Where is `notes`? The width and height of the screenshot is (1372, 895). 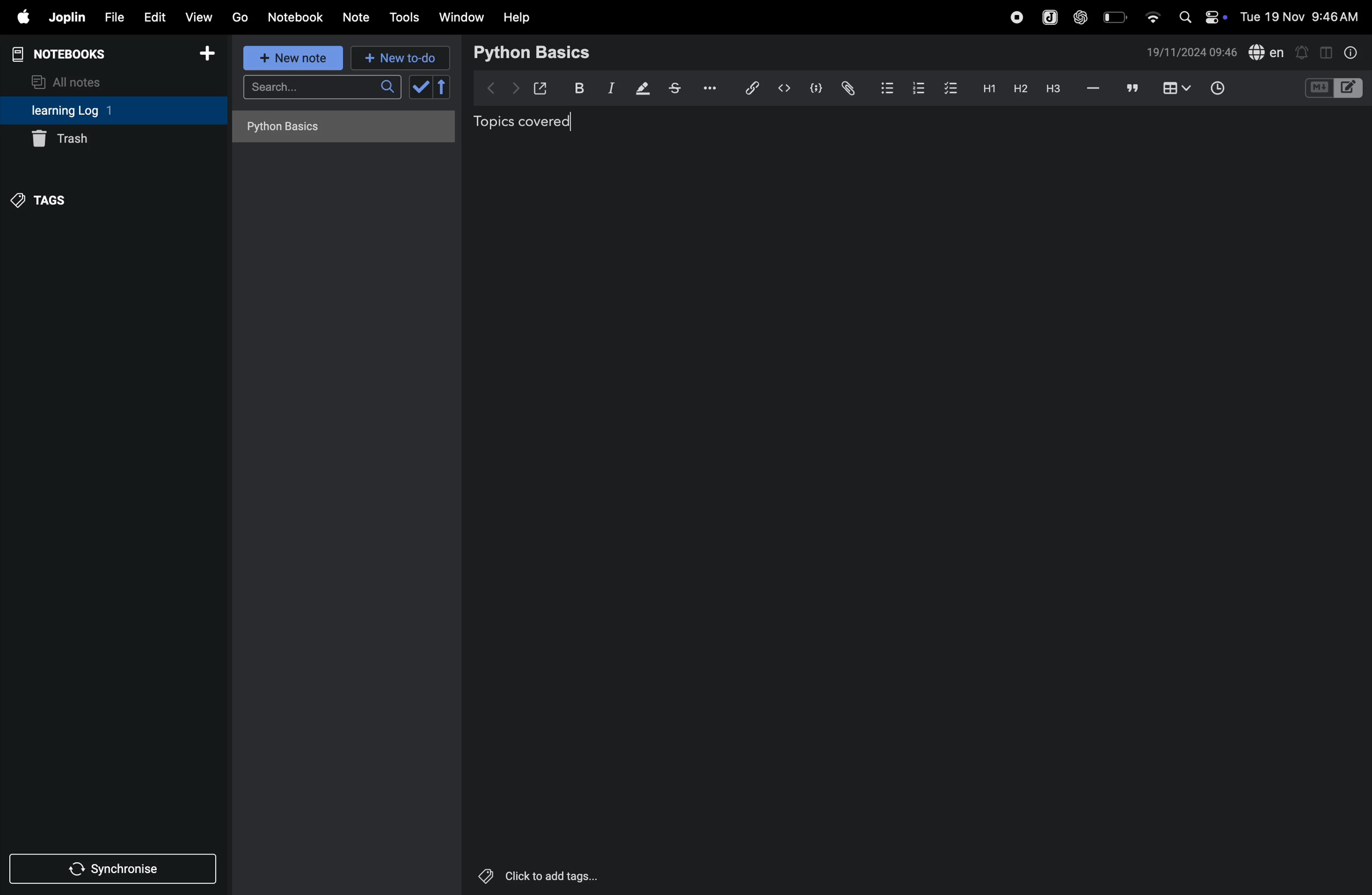 notes is located at coordinates (357, 18).